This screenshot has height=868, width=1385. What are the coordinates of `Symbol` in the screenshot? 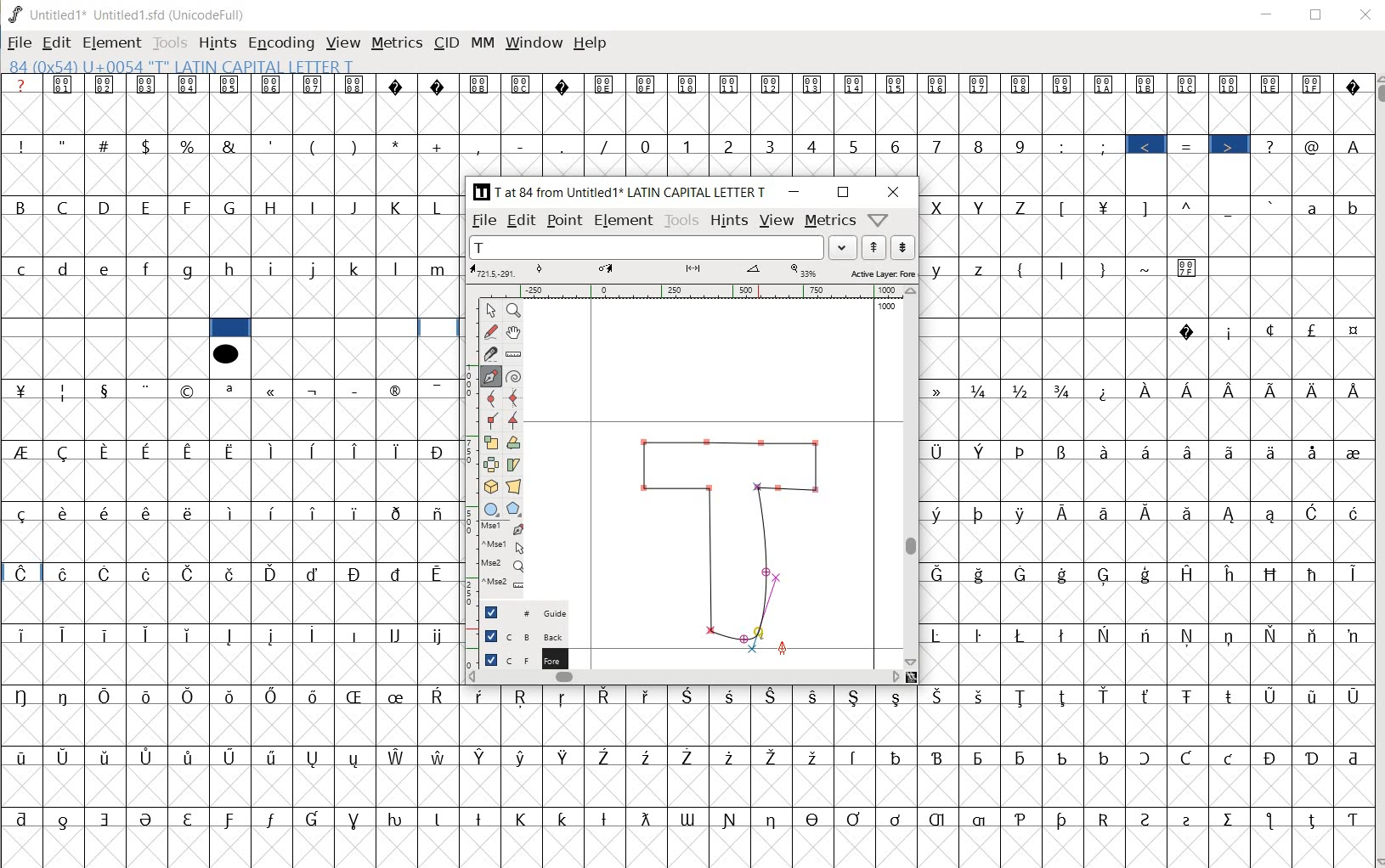 It's located at (1021, 451).